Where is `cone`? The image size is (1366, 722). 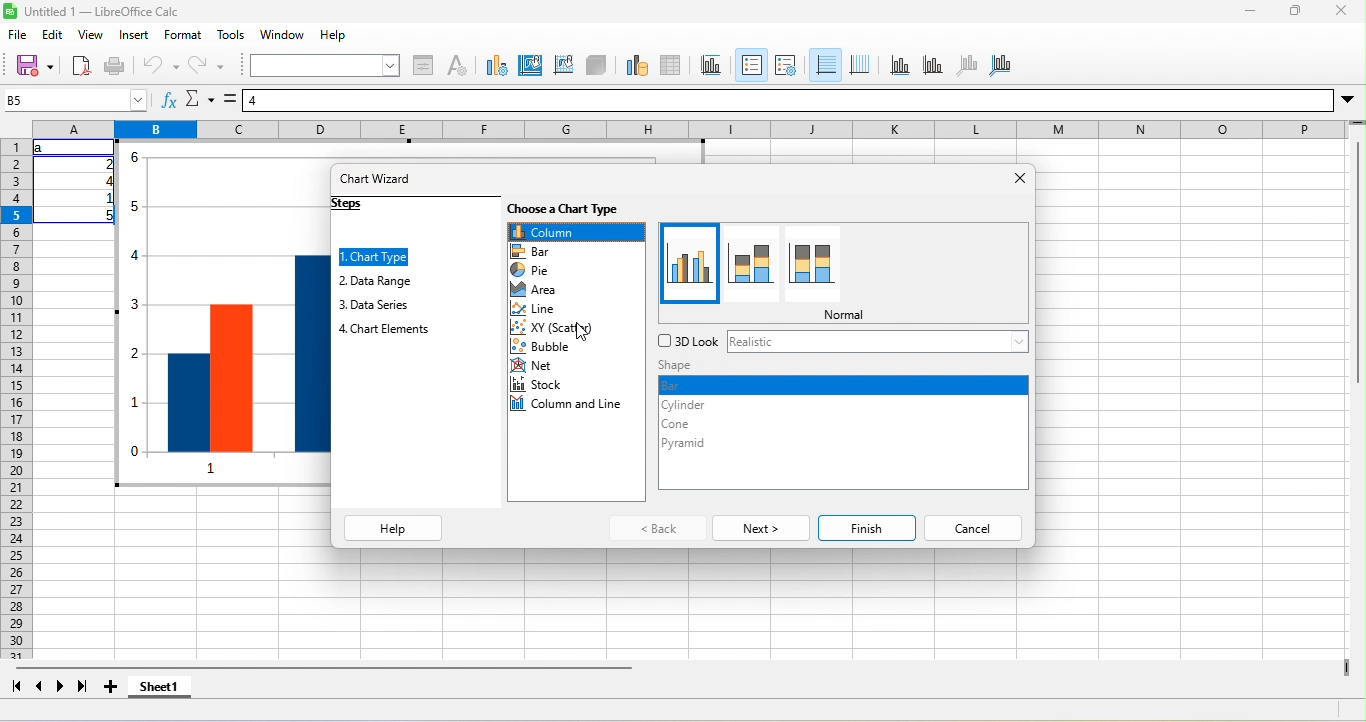
cone is located at coordinates (677, 424).